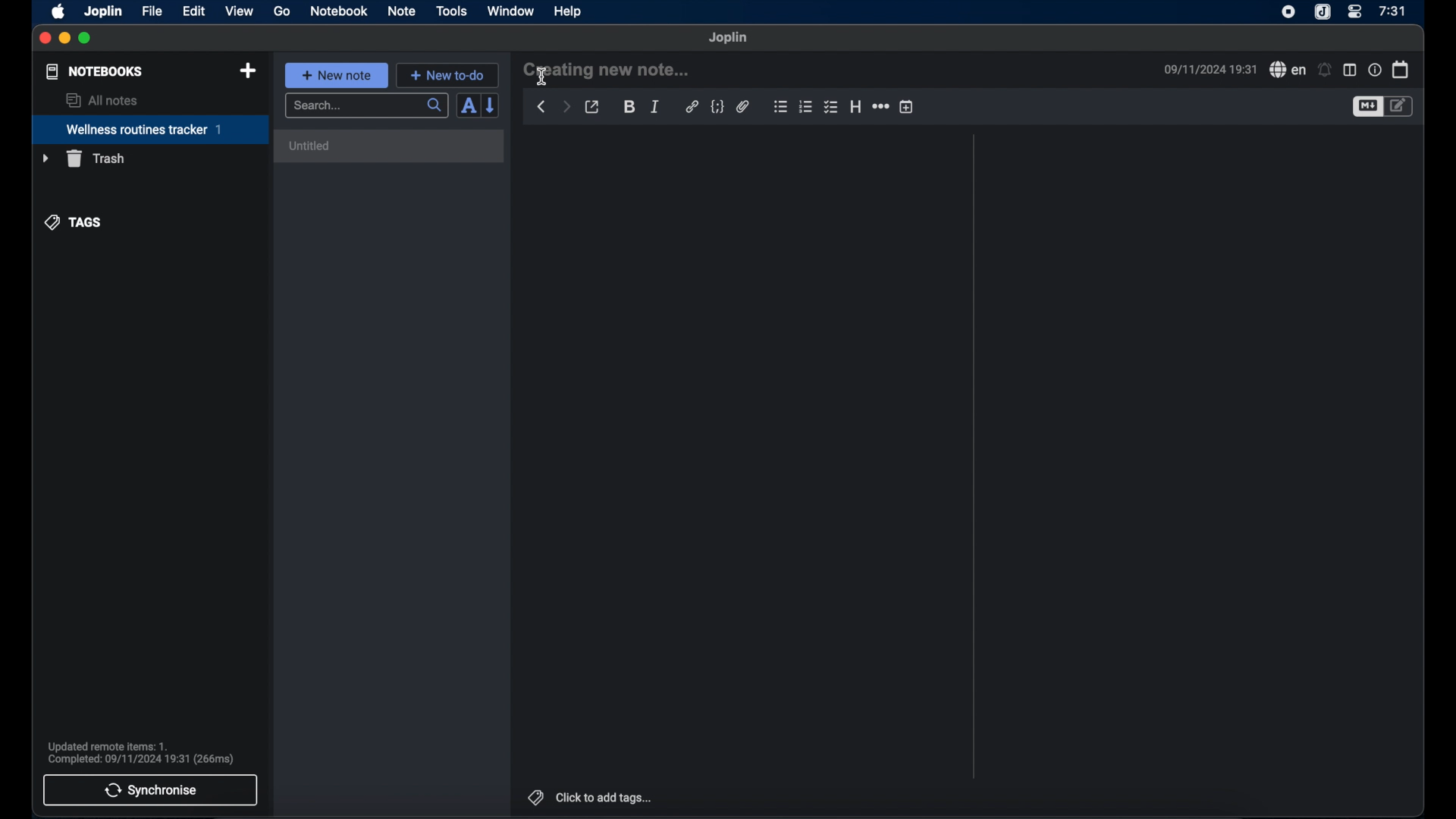 This screenshot has height=819, width=1456. Describe the element at coordinates (447, 74) in the screenshot. I see `+ new to-do` at that location.